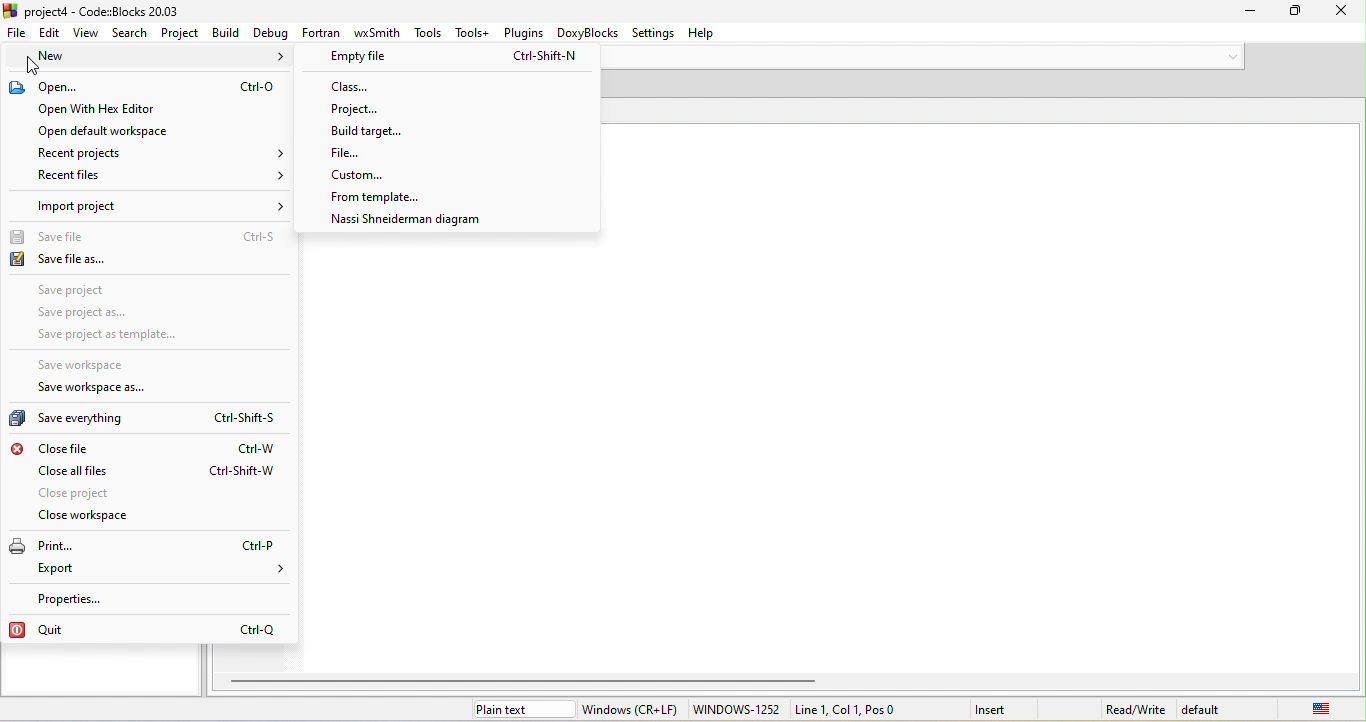 The width and height of the screenshot is (1366, 722). I want to click on class, so click(384, 86).